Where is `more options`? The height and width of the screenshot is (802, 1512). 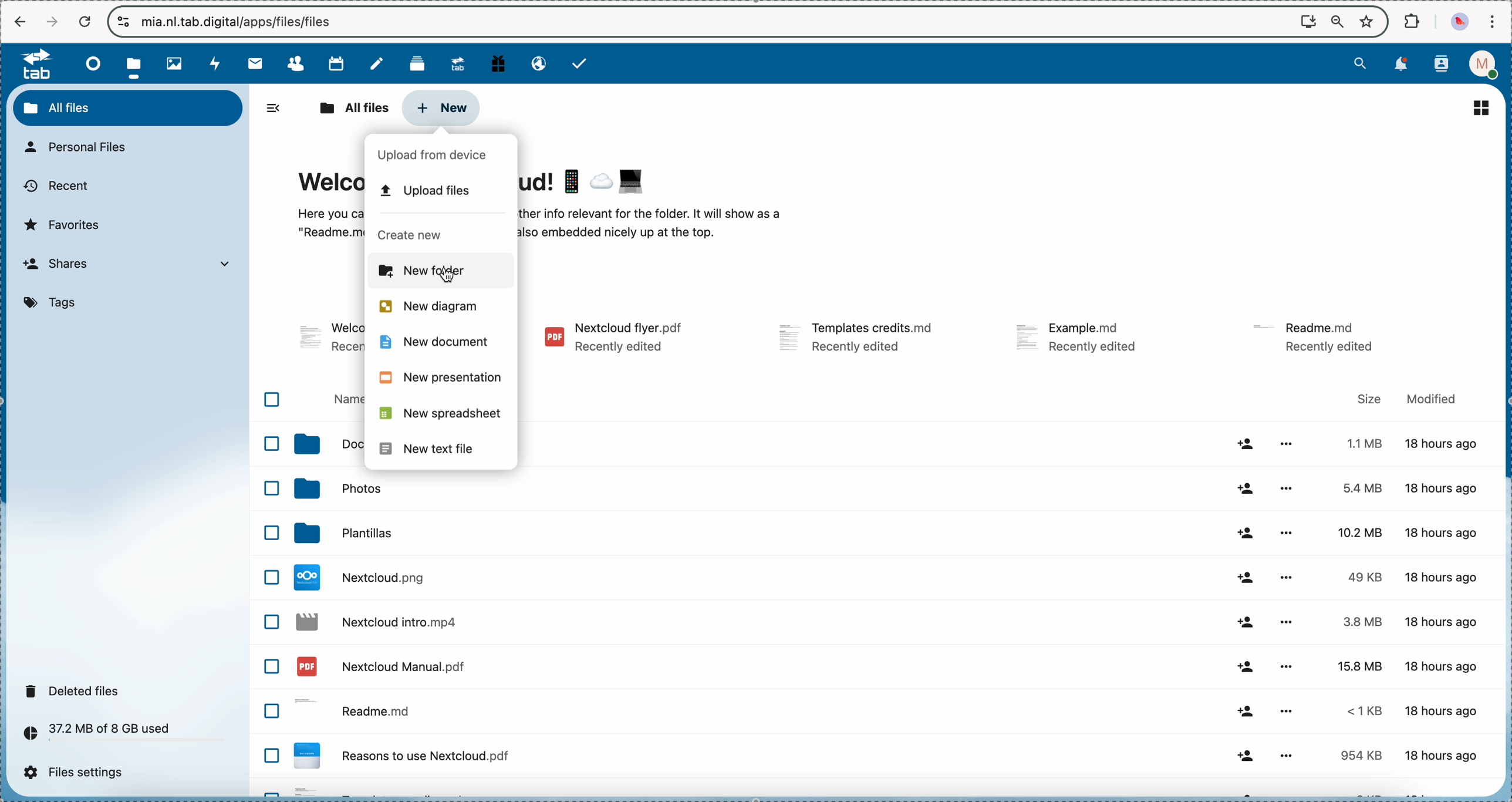
more options is located at coordinates (1288, 666).